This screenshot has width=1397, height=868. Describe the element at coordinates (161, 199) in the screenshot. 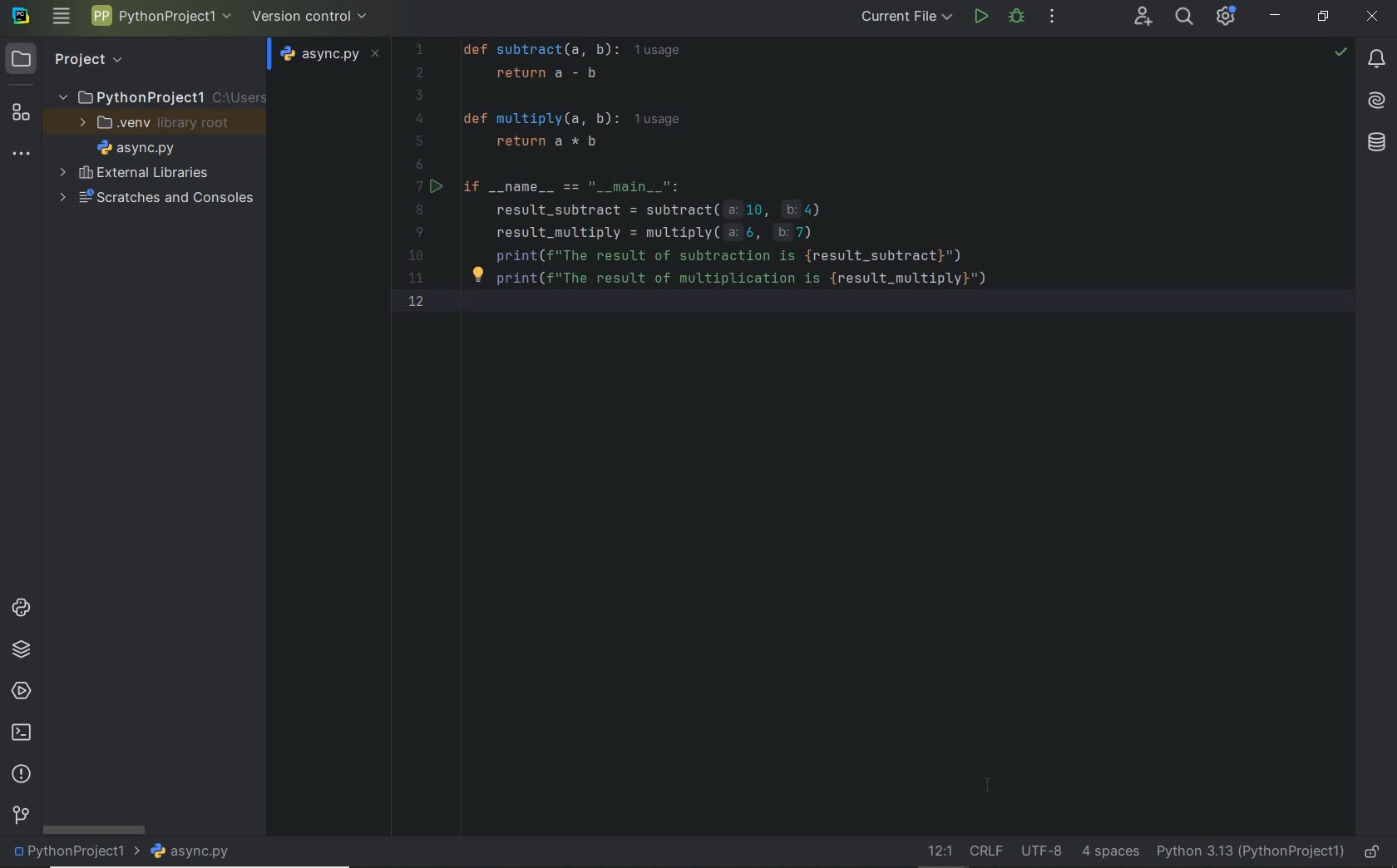

I see `scratches and consoles` at that location.